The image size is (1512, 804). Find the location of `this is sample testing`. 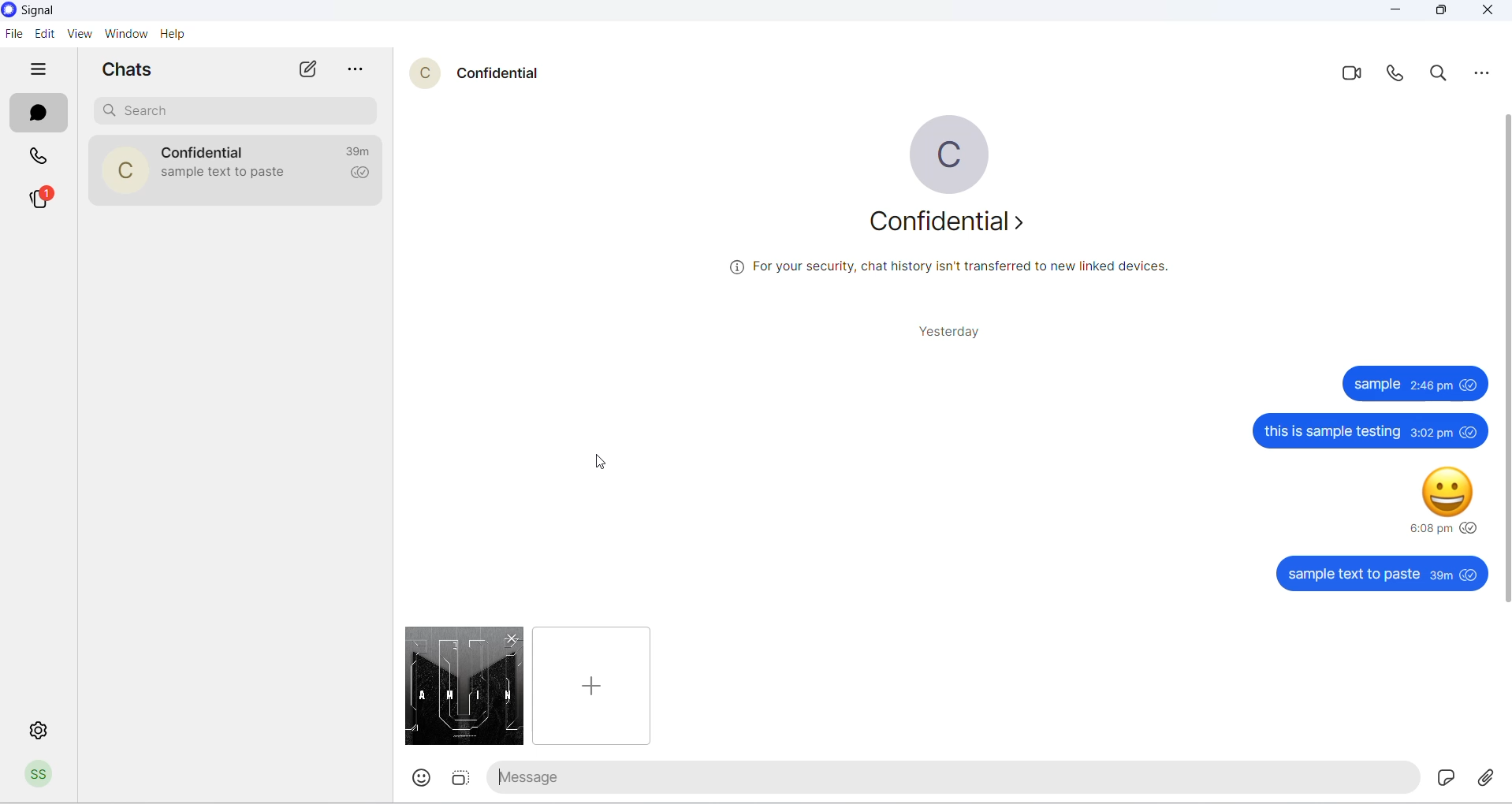

this is sample testing is located at coordinates (1337, 432).